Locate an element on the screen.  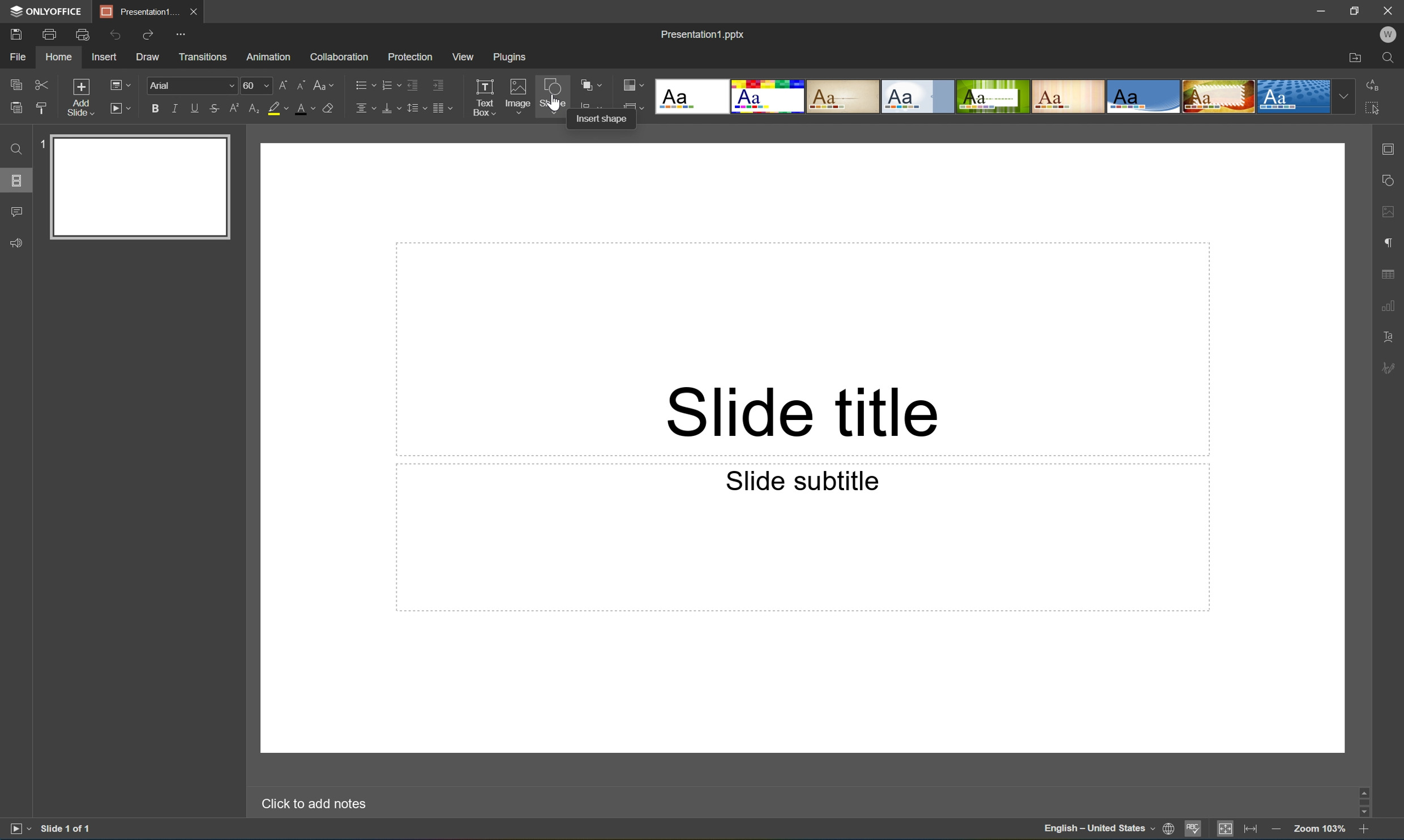
shape settings is located at coordinates (1388, 179).